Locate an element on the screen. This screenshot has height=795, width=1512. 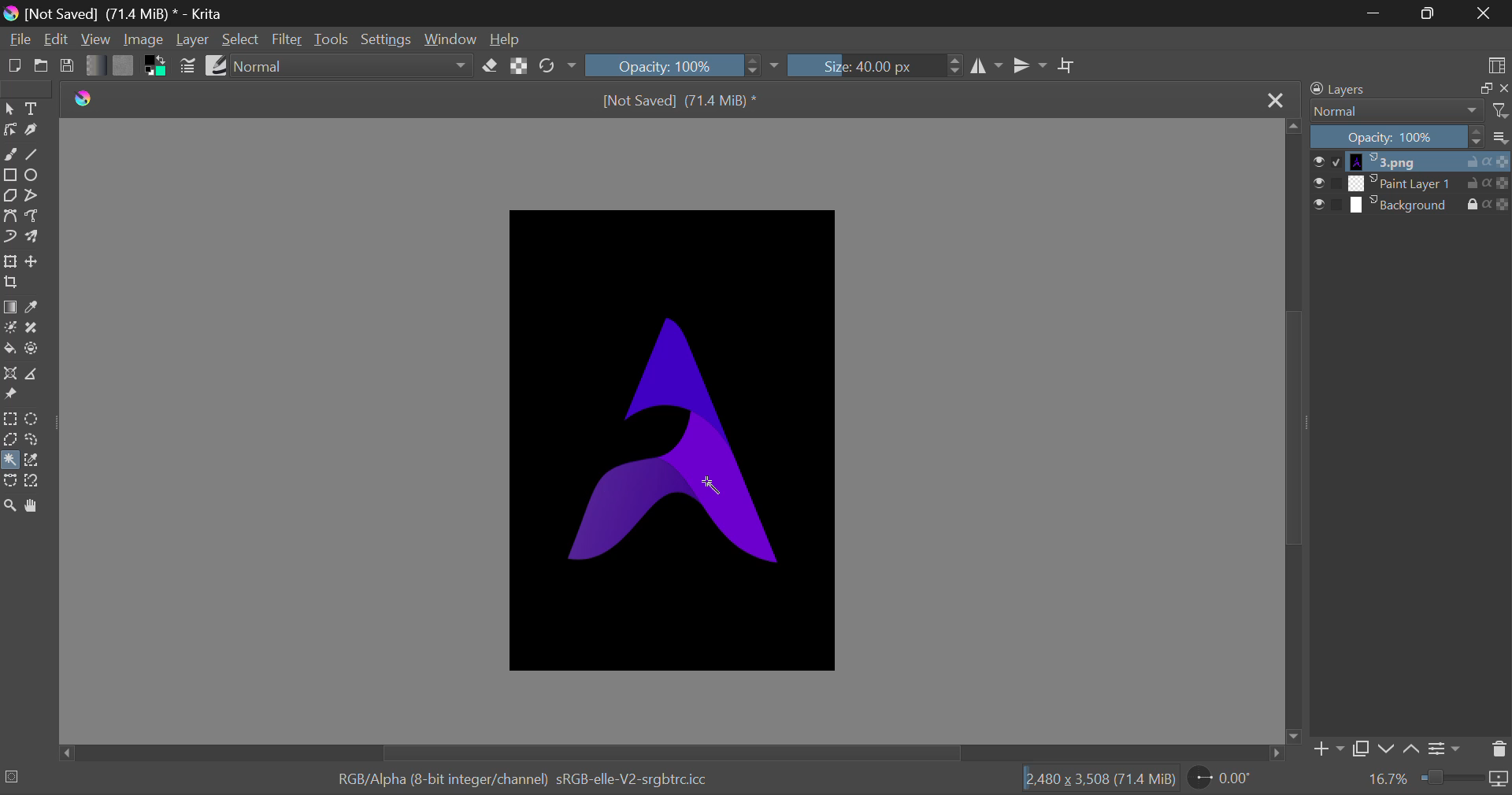
Colors in use is located at coordinates (157, 66).